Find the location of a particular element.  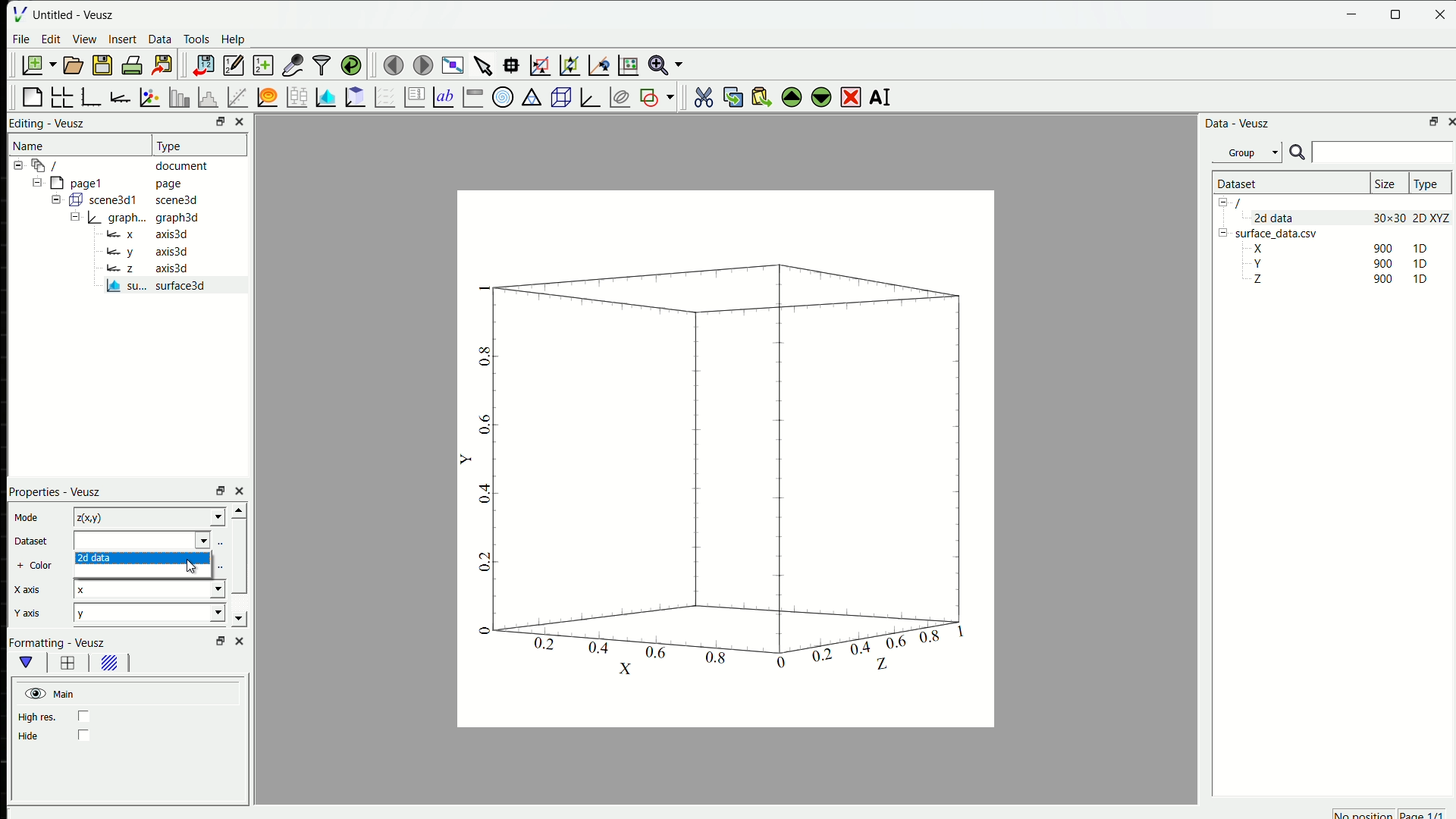

Collapse /expand is located at coordinates (1225, 234).